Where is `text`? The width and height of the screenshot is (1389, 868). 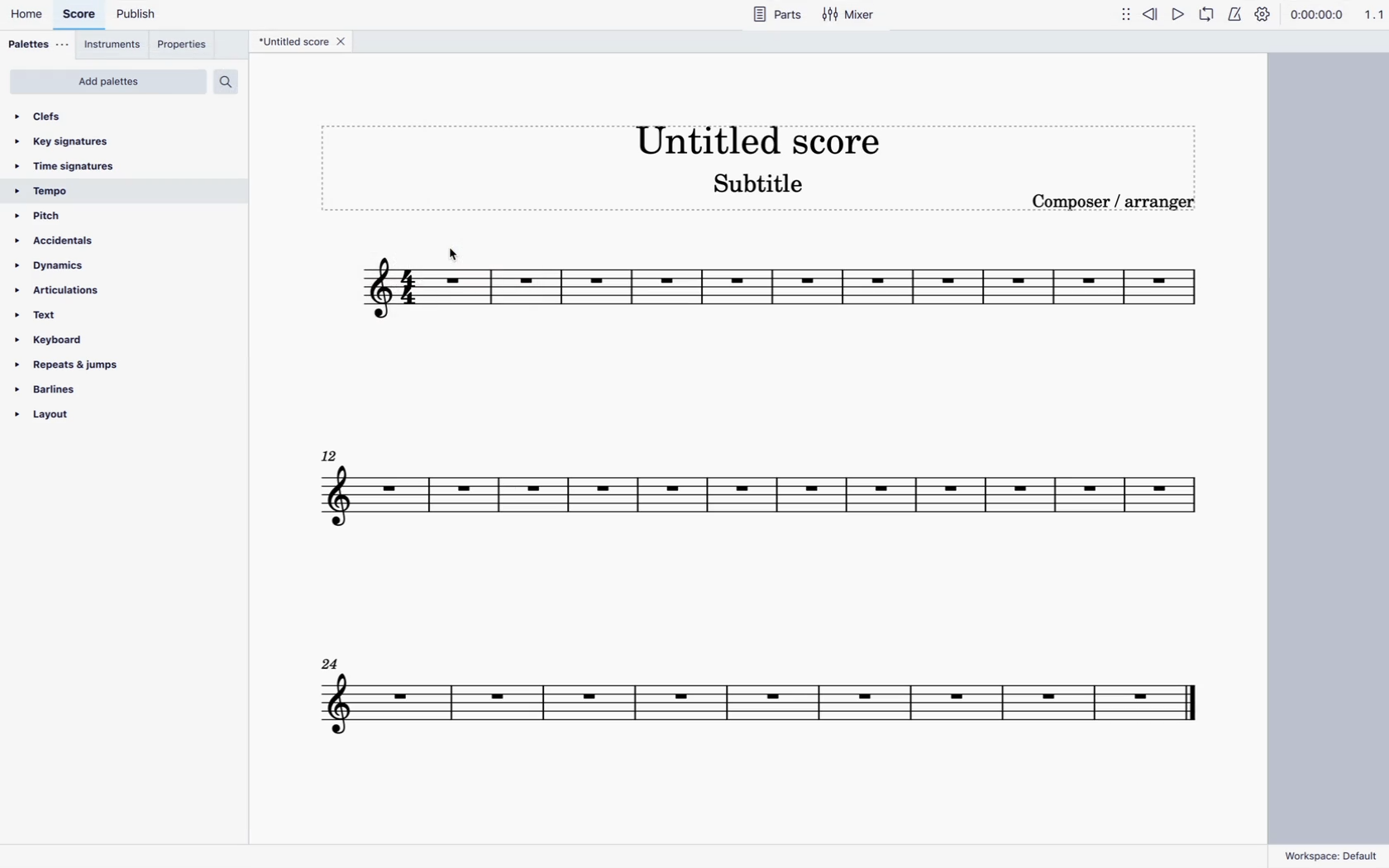 text is located at coordinates (41, 314).